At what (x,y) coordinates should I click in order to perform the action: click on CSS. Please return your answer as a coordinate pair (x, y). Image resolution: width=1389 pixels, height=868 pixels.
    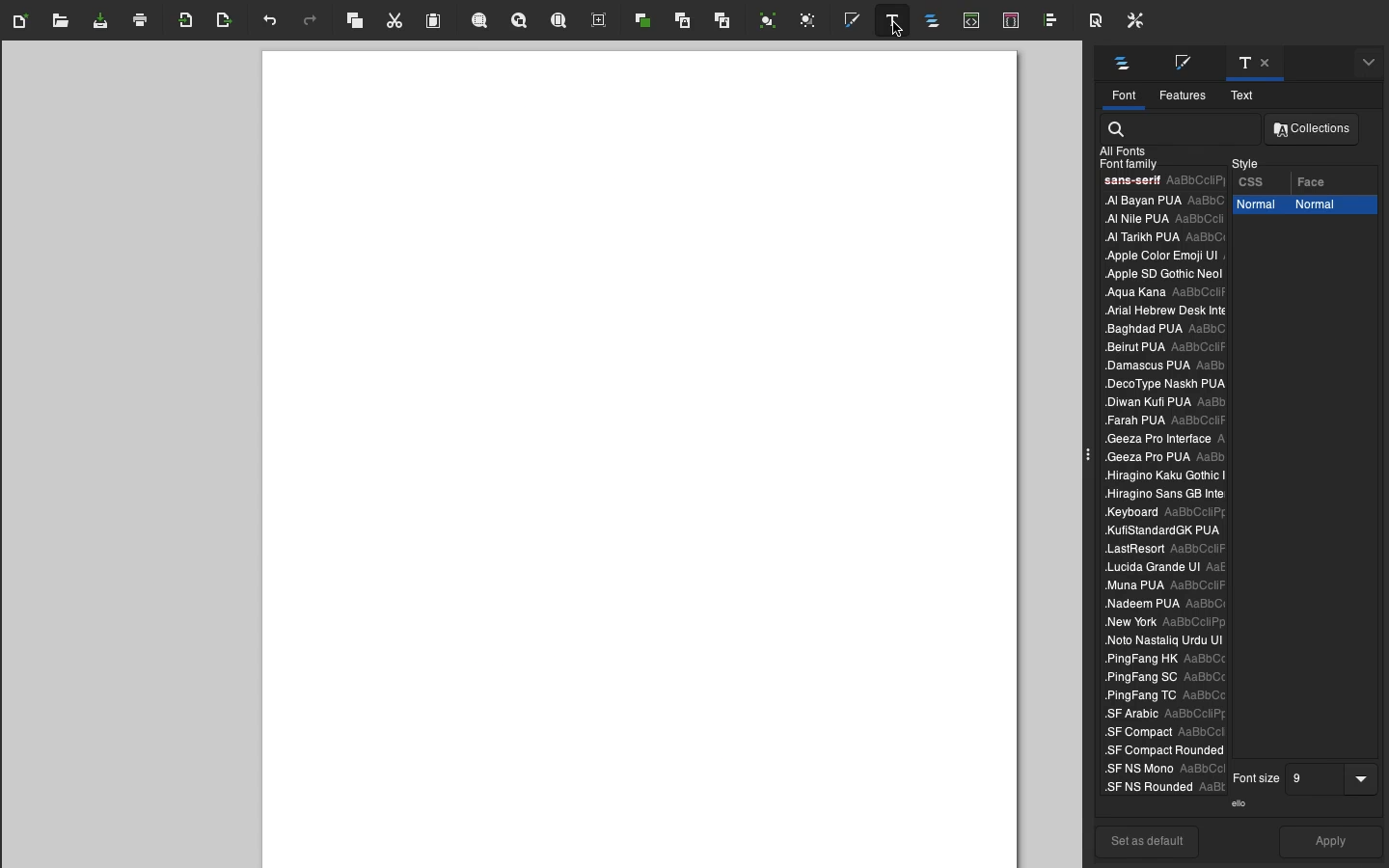
    Looking at the image, I should click on (1254, 180).